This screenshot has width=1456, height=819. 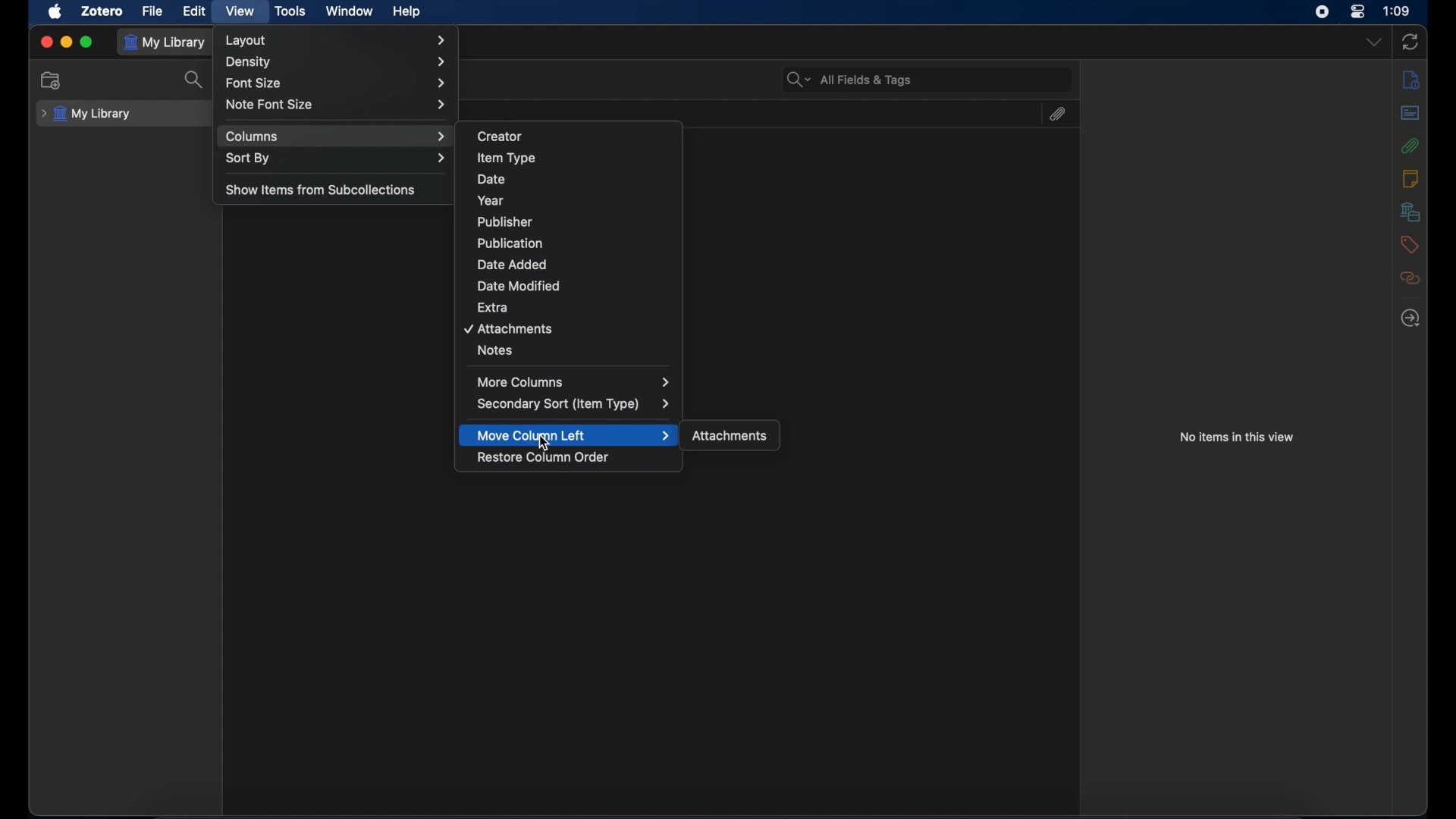 I want to click on font size, so click(x=337, y=84).